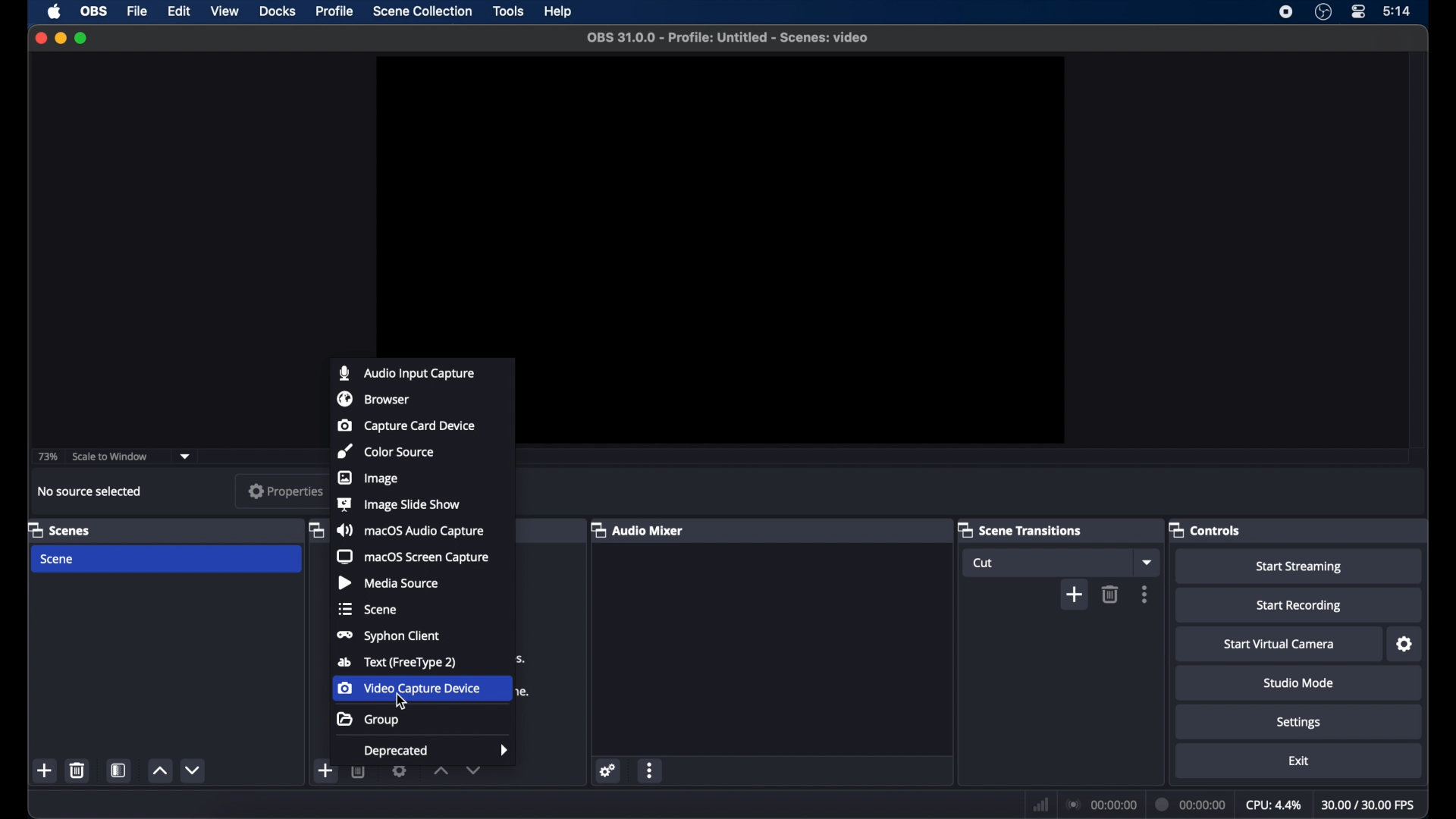 This screenshot has width=1456, height=819. I want to click on moreoptions, so click(1145, 594).